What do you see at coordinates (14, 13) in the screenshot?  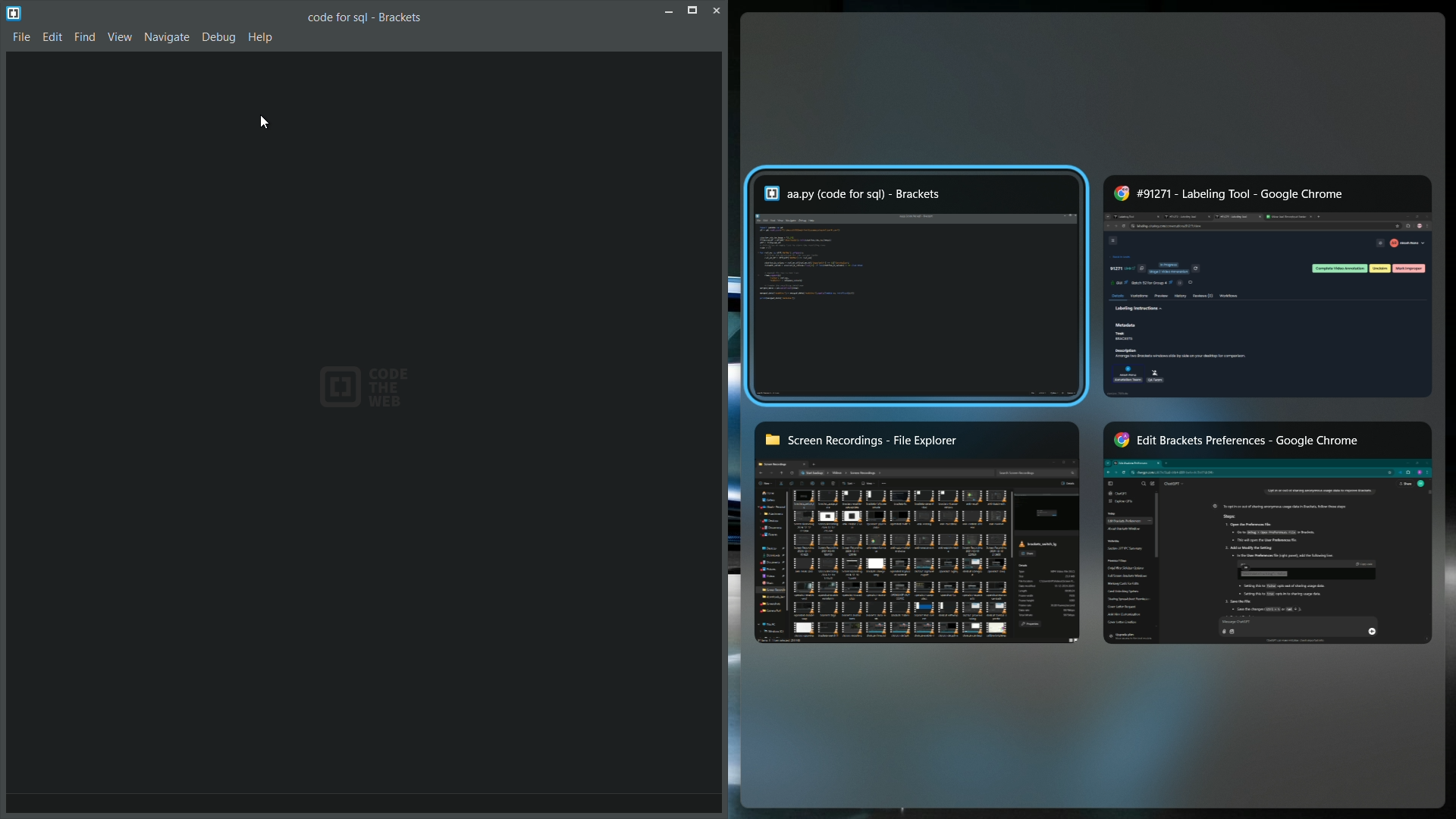 I see `logo` at bounding box center [14, 13].